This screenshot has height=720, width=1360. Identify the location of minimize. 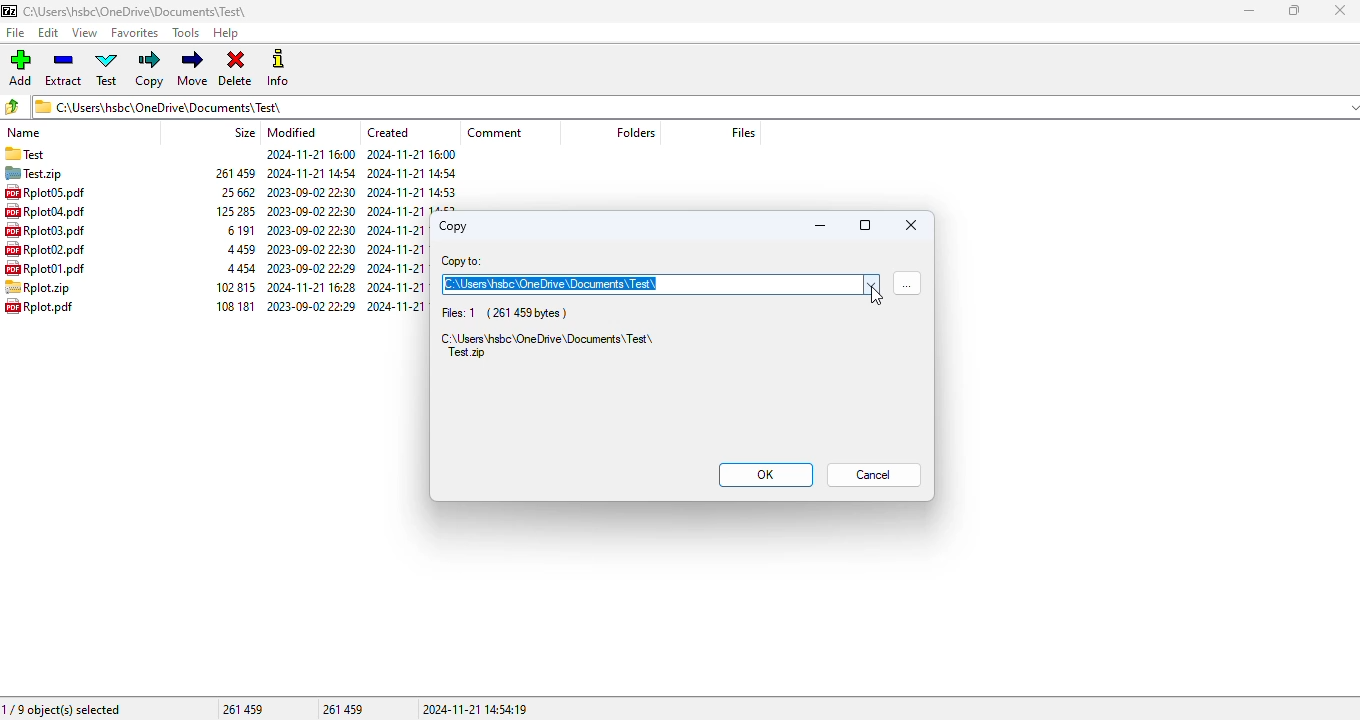
(1247, 11).